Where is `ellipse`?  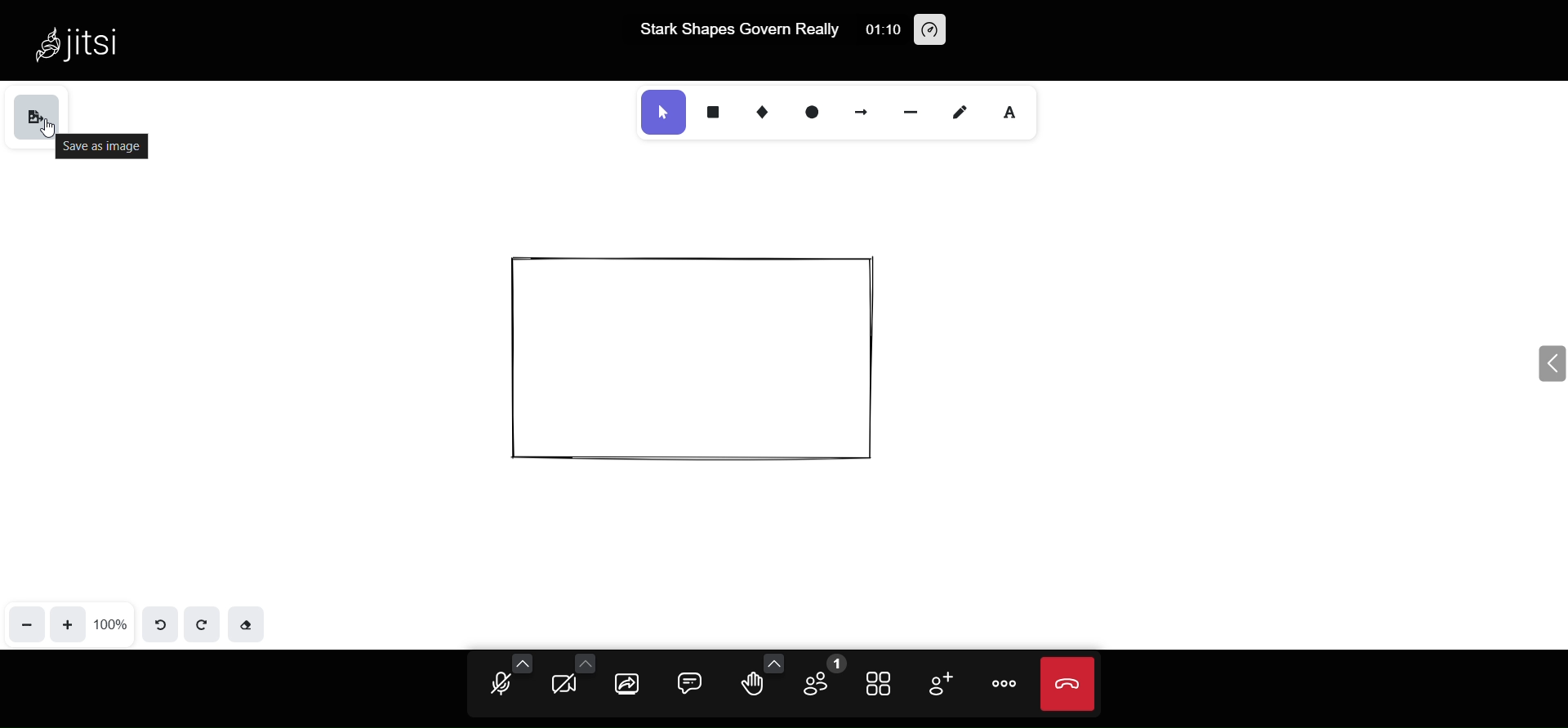
ellipse is located at coordinates (817, 112).